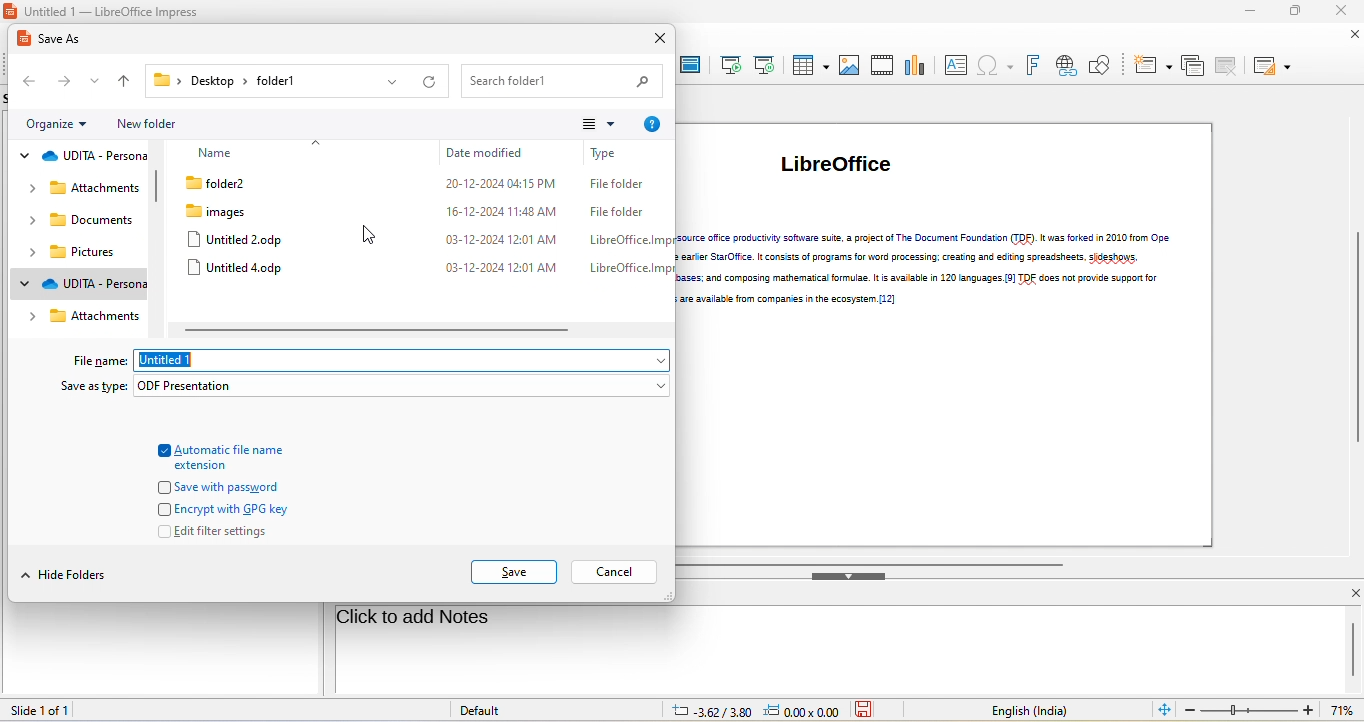 The height and width of the screenshot is (722, 1364). What do you see at coordinates (849, 67) in the screenshot?
I see `image` at bounding box center [849, 67].